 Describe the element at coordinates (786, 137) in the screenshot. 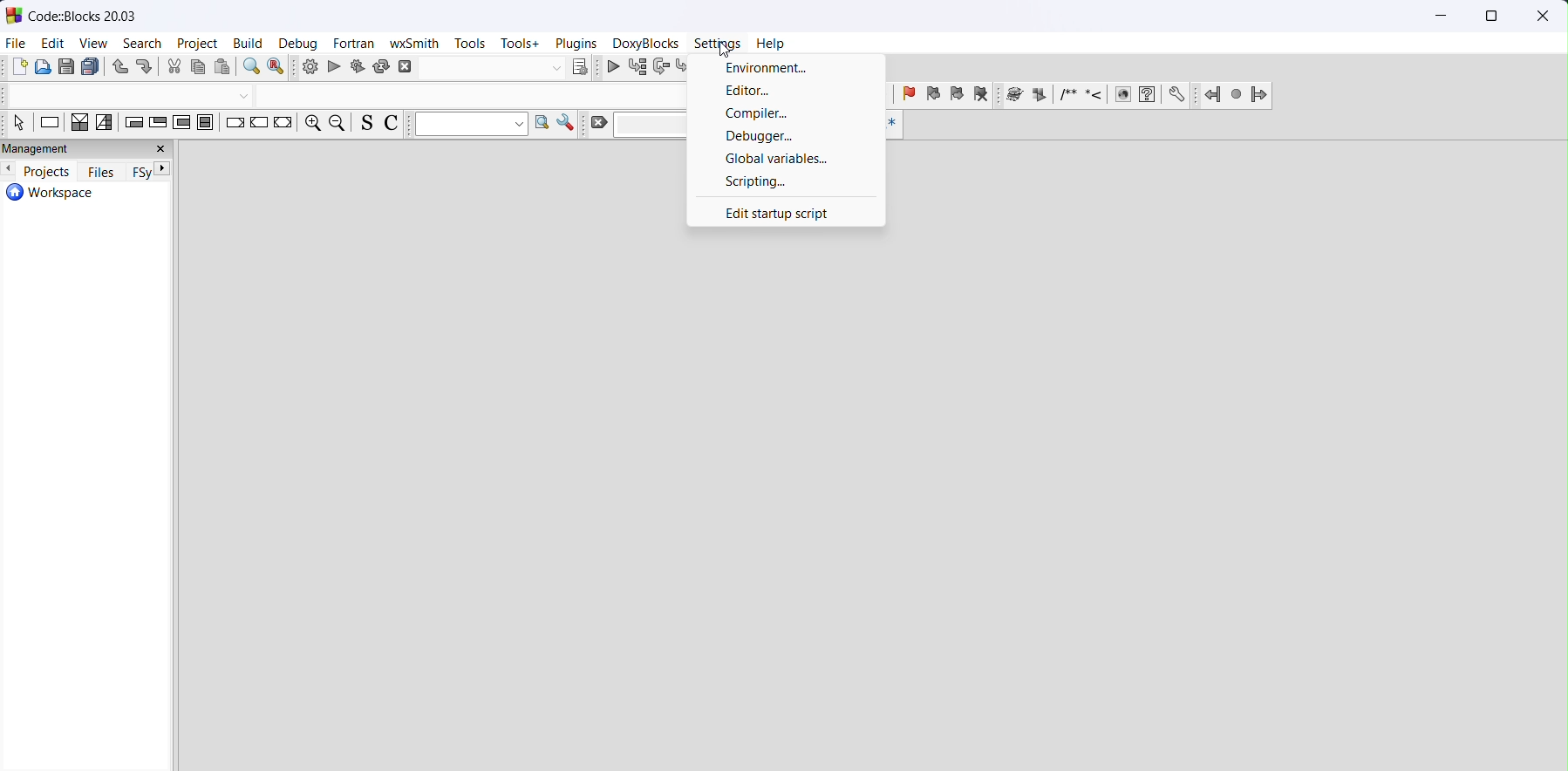

I see `debugger` at that location.